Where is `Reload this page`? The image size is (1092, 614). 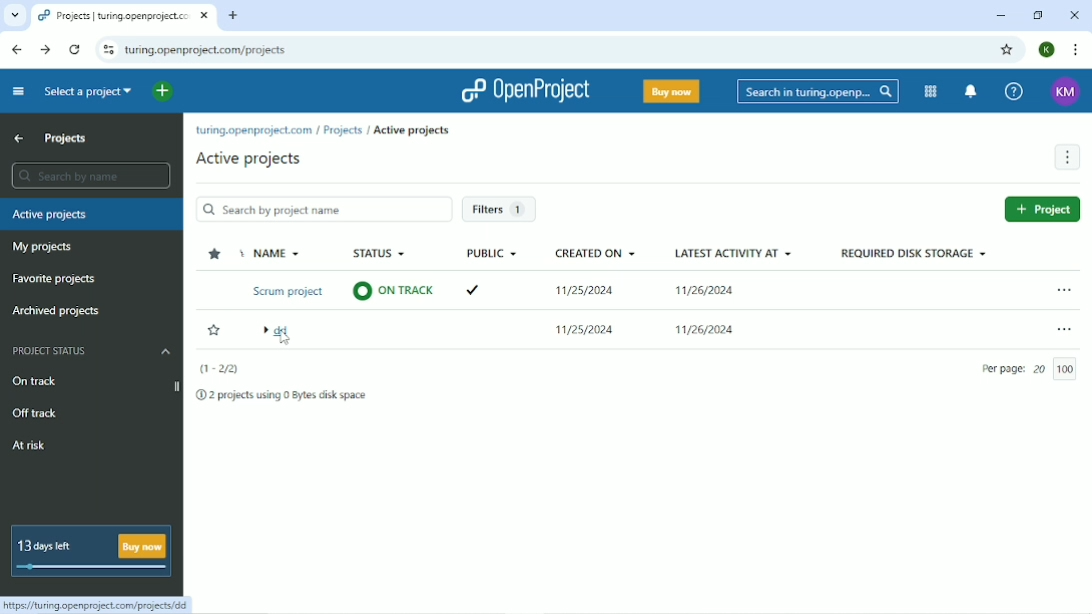 Reload this page is located at coordinates (75, 50).